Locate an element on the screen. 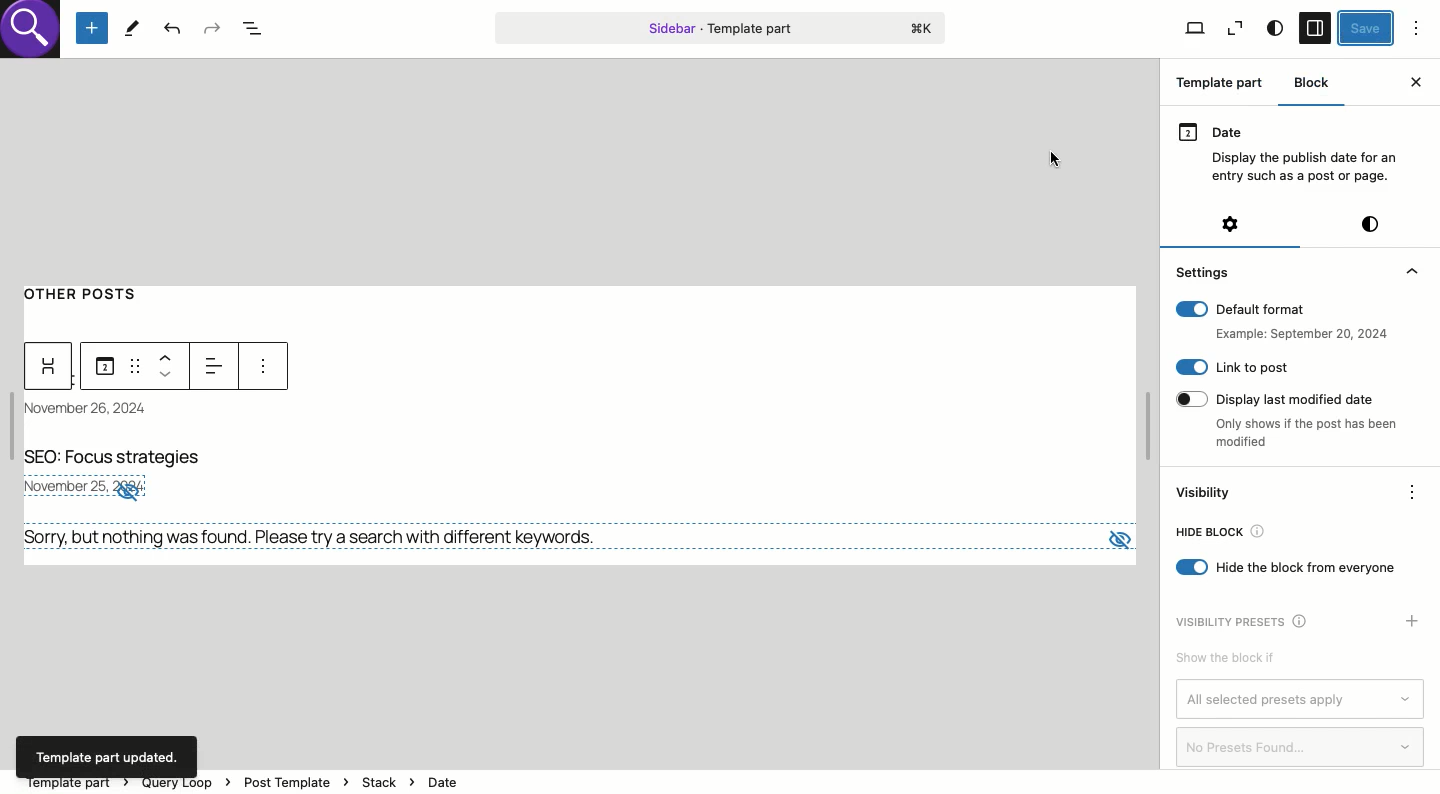 The image size is (1440, 794). Template part is located at coordinates (1224, 85).